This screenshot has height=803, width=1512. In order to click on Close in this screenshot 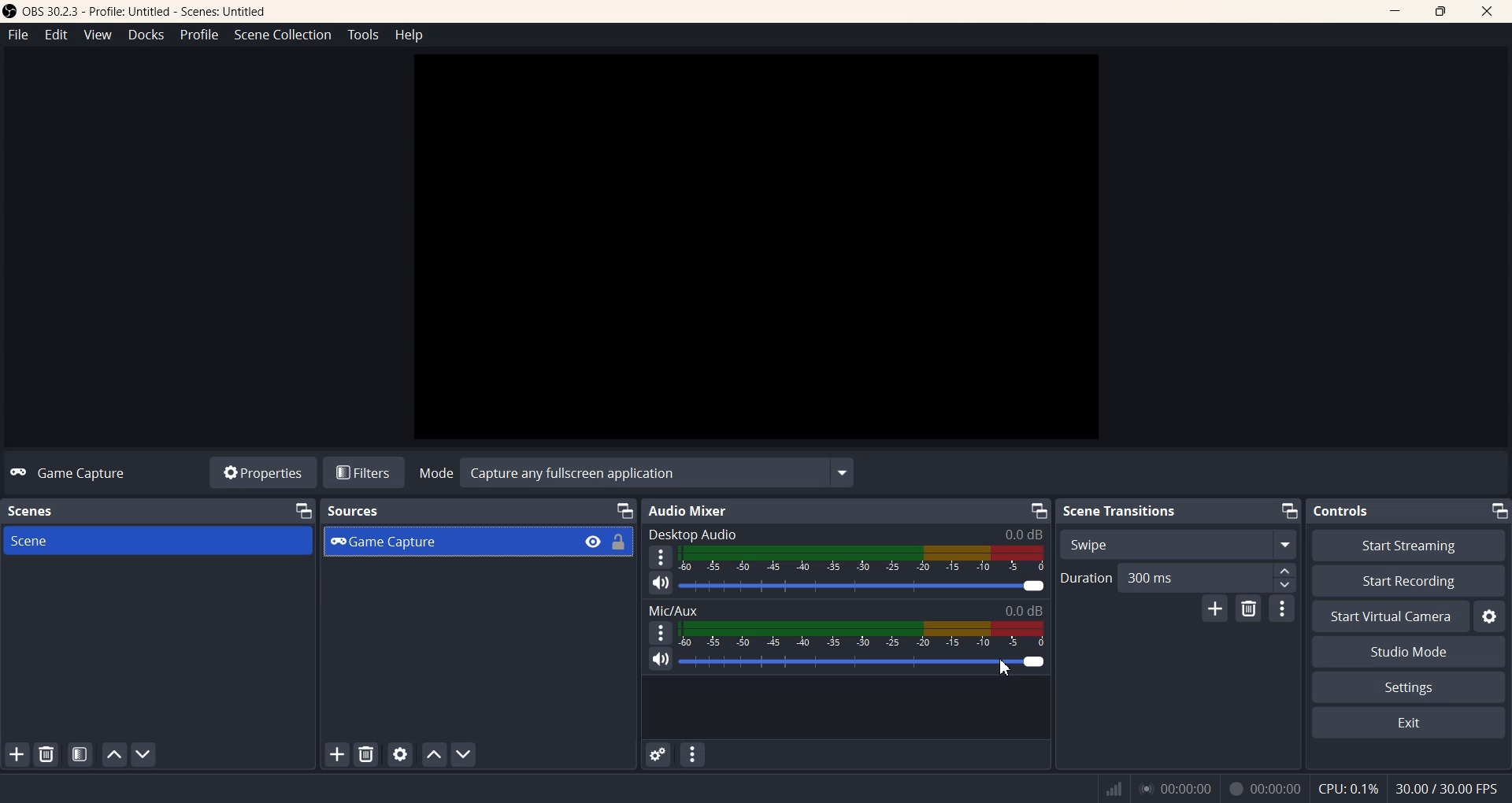, I will do `click(1487, 12)`.